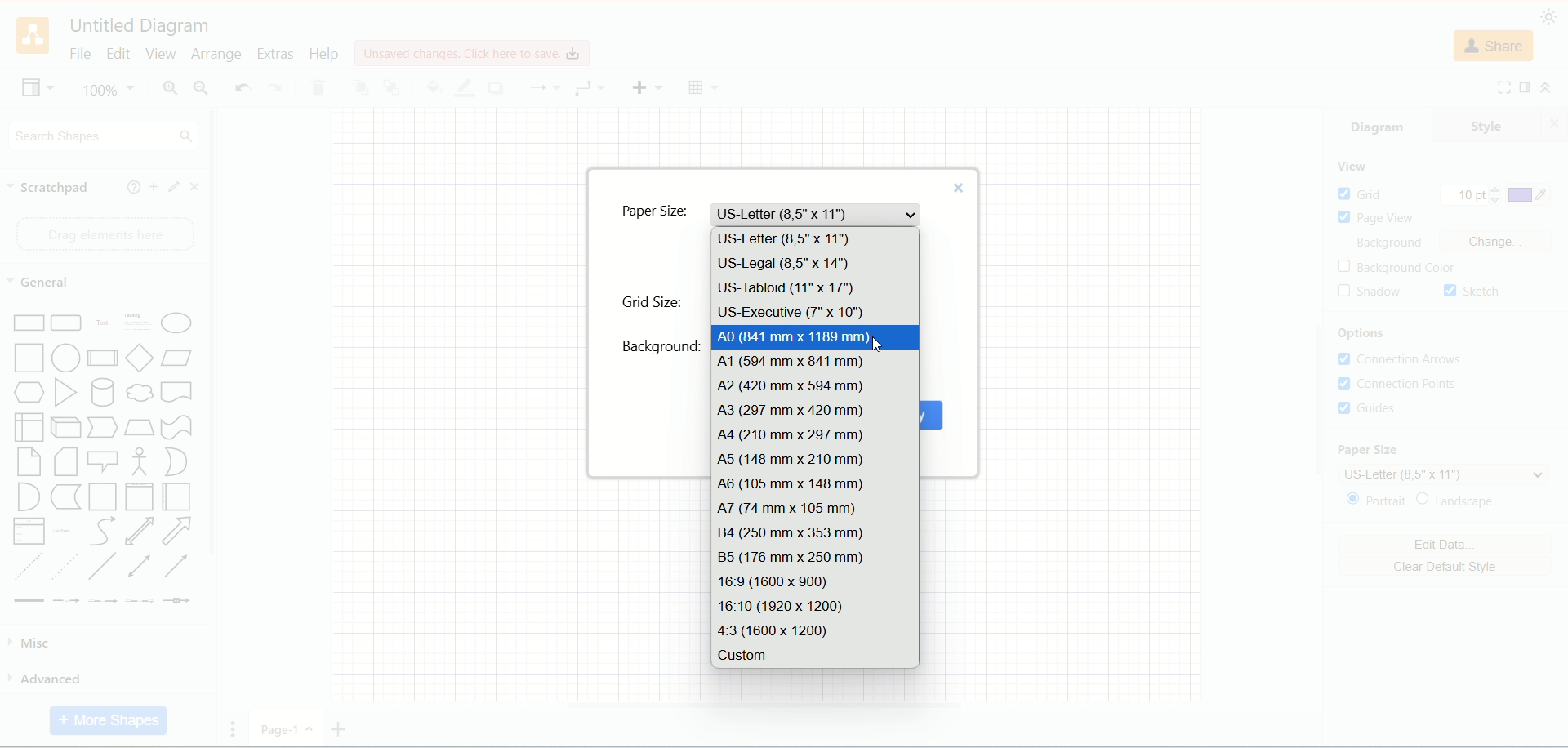 Image resolution: width=1568 pixels, height=748 pixels. What do you see at coordinates (141, 359) in the screenshot?
I see `Diamond` at bounding box center [141, 359].